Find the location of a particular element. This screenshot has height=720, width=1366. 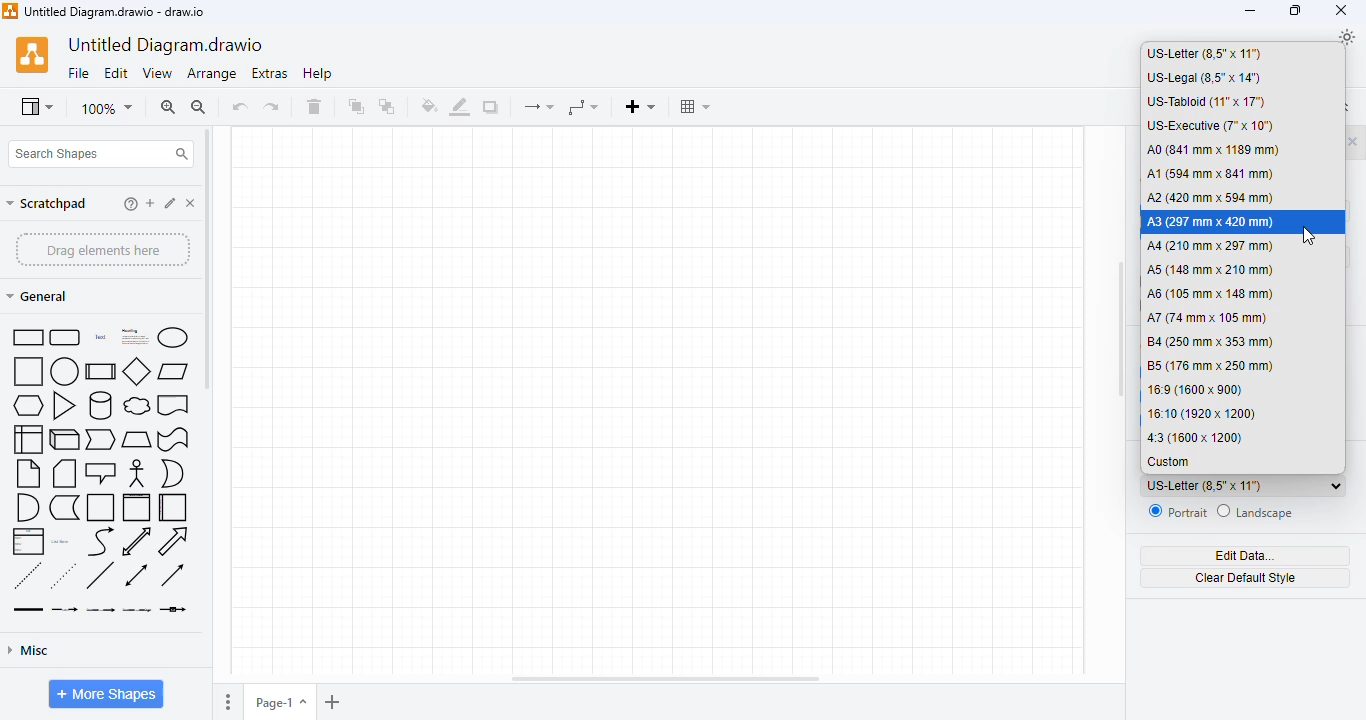

arrow is located at coordinates (174, 541).